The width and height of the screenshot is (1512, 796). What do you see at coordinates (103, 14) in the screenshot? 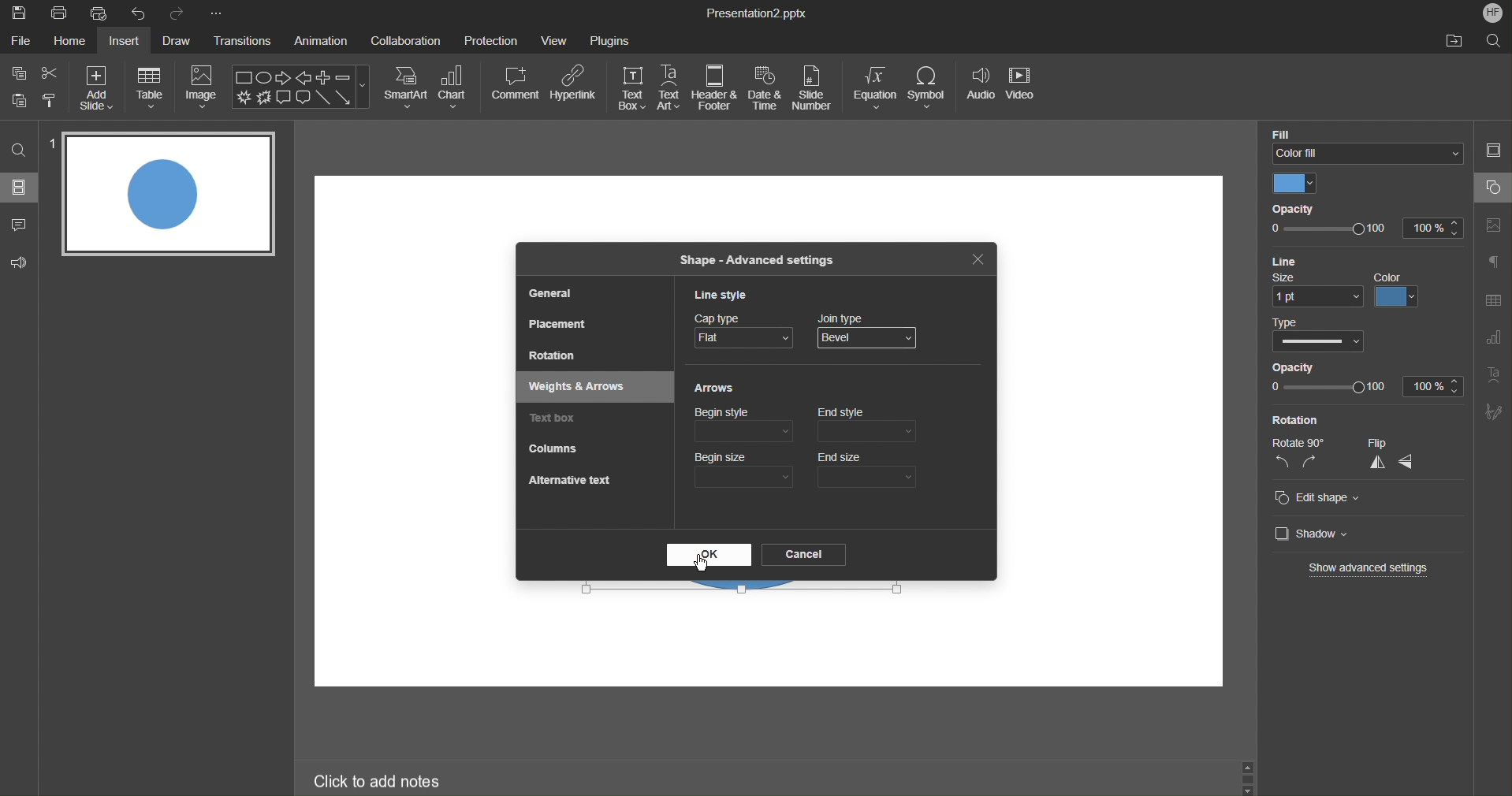
I see `Quick Print` at bounding box center [103, 14].